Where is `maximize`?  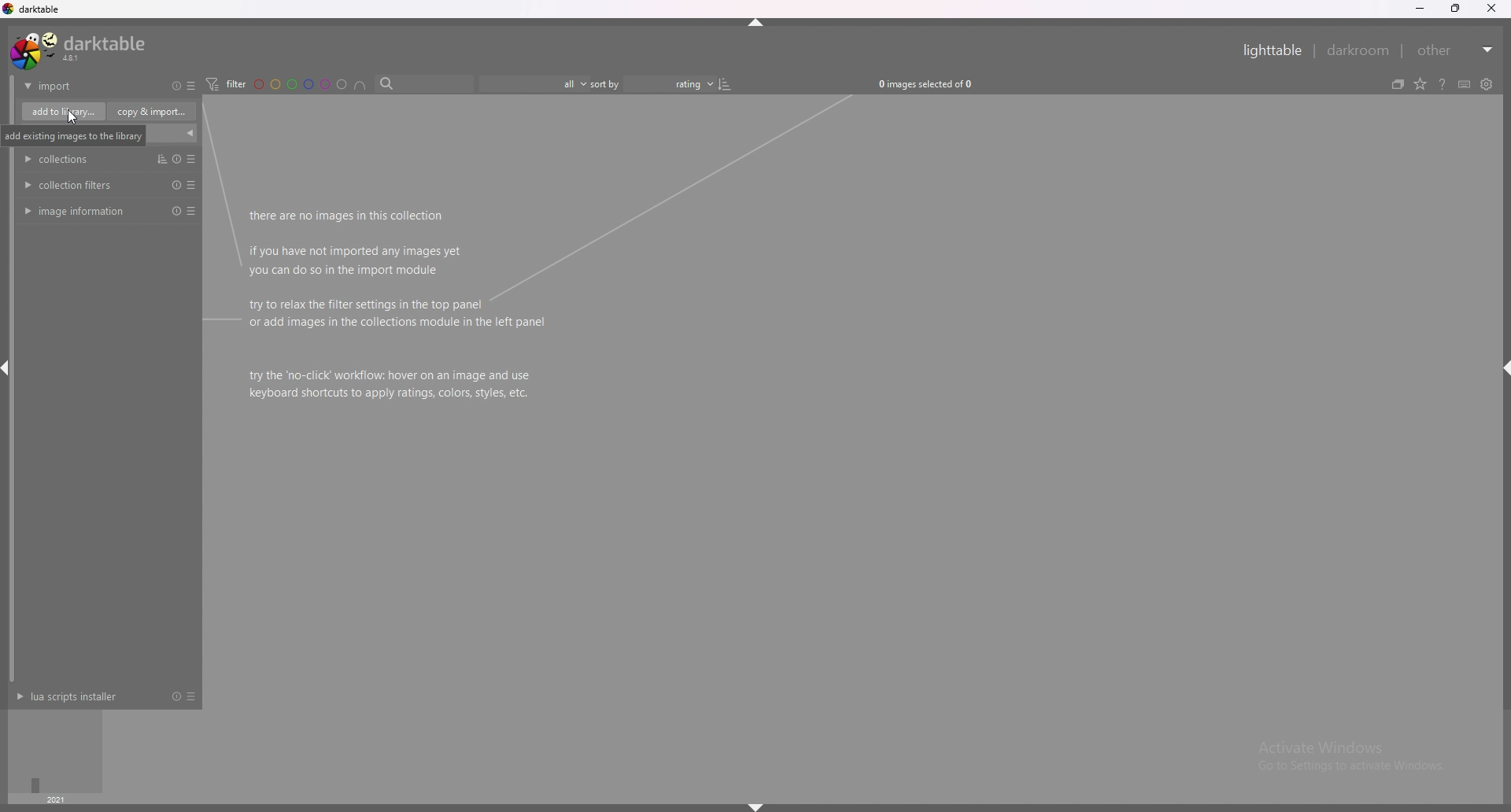
maximize is located at coordinates (1457, 9).